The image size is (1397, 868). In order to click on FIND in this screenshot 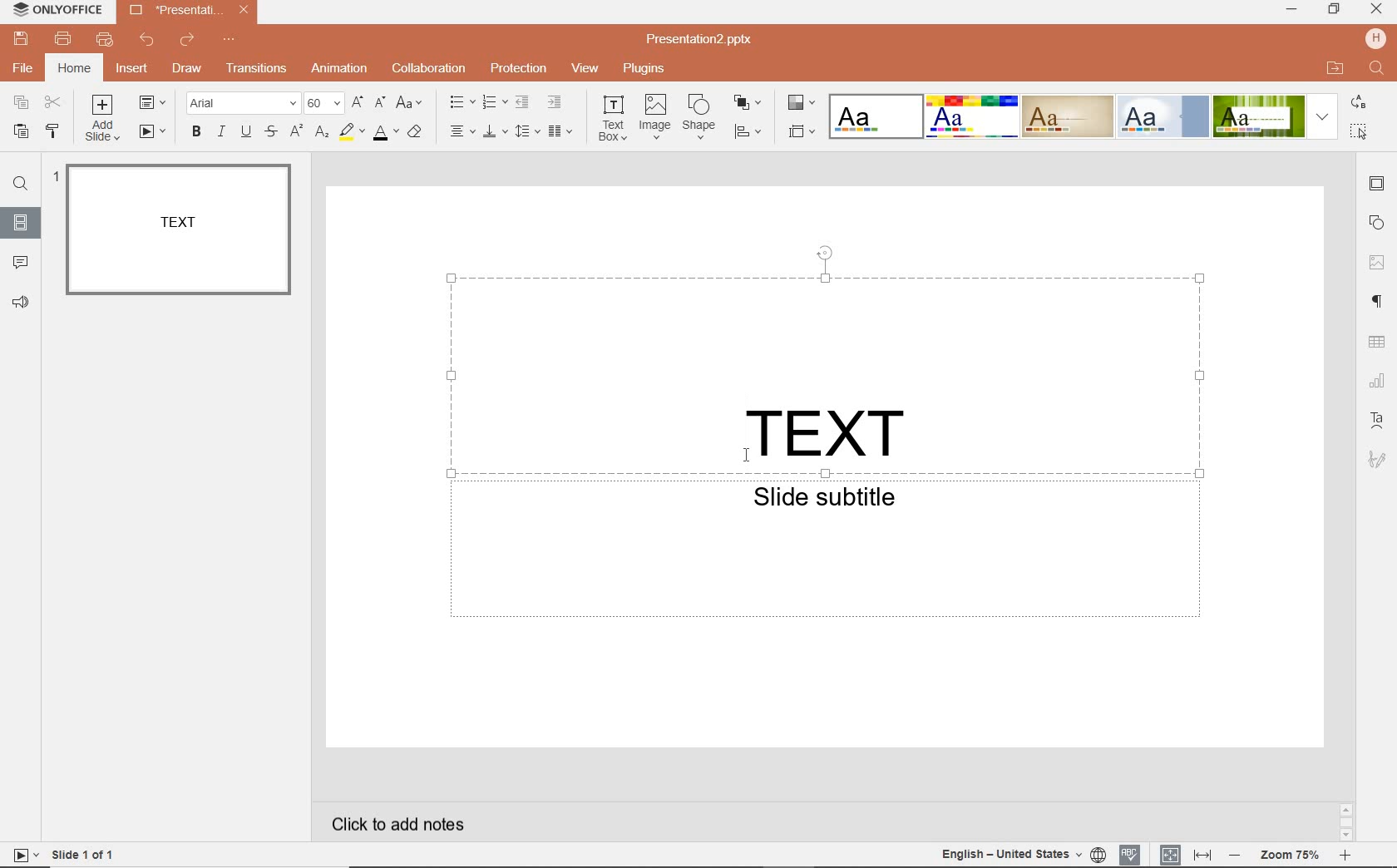, I will do `click(21, 184)`.